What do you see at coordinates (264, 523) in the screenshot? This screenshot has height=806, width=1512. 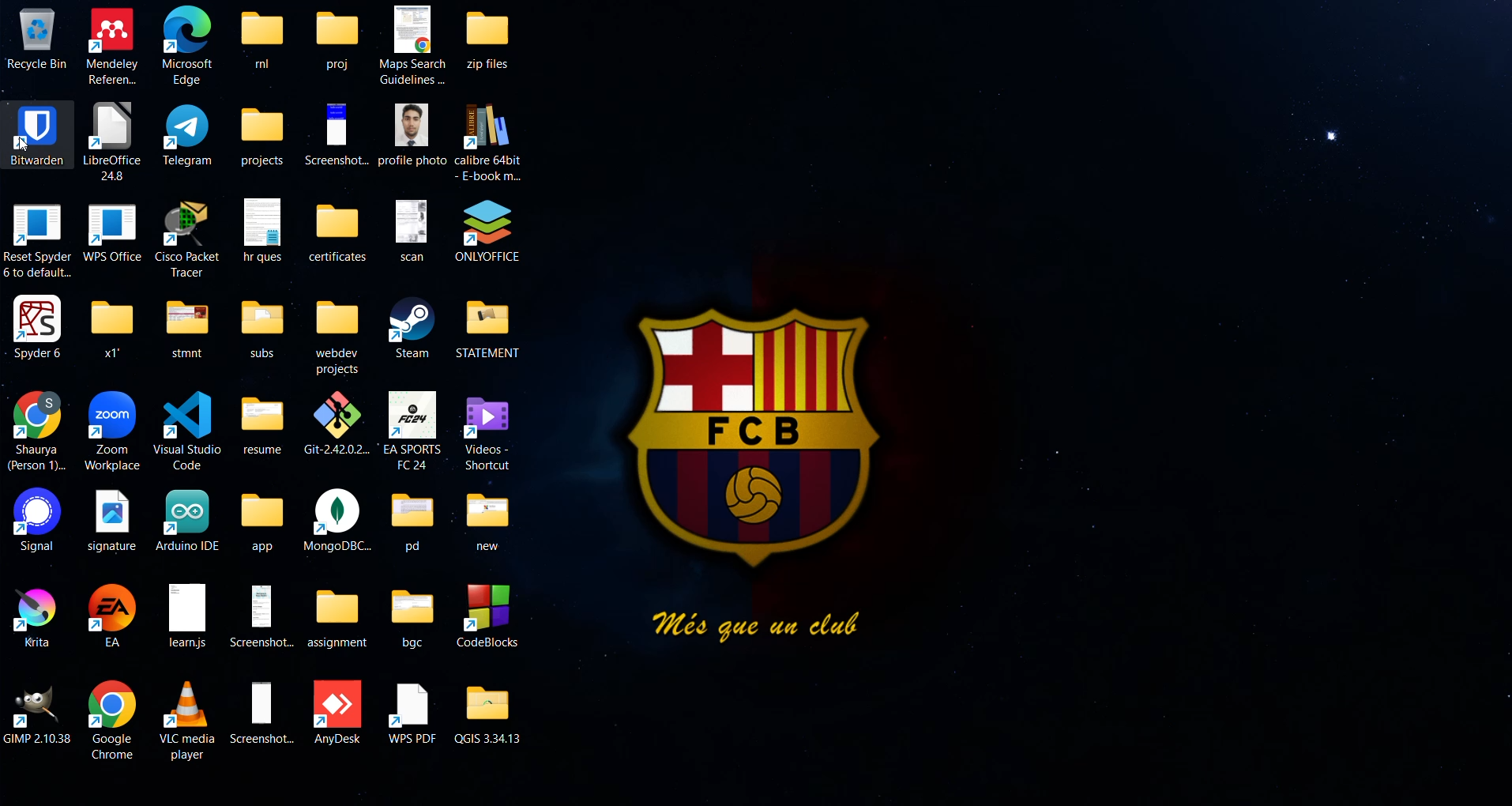 I see `app` at bounding box center [264, 523].